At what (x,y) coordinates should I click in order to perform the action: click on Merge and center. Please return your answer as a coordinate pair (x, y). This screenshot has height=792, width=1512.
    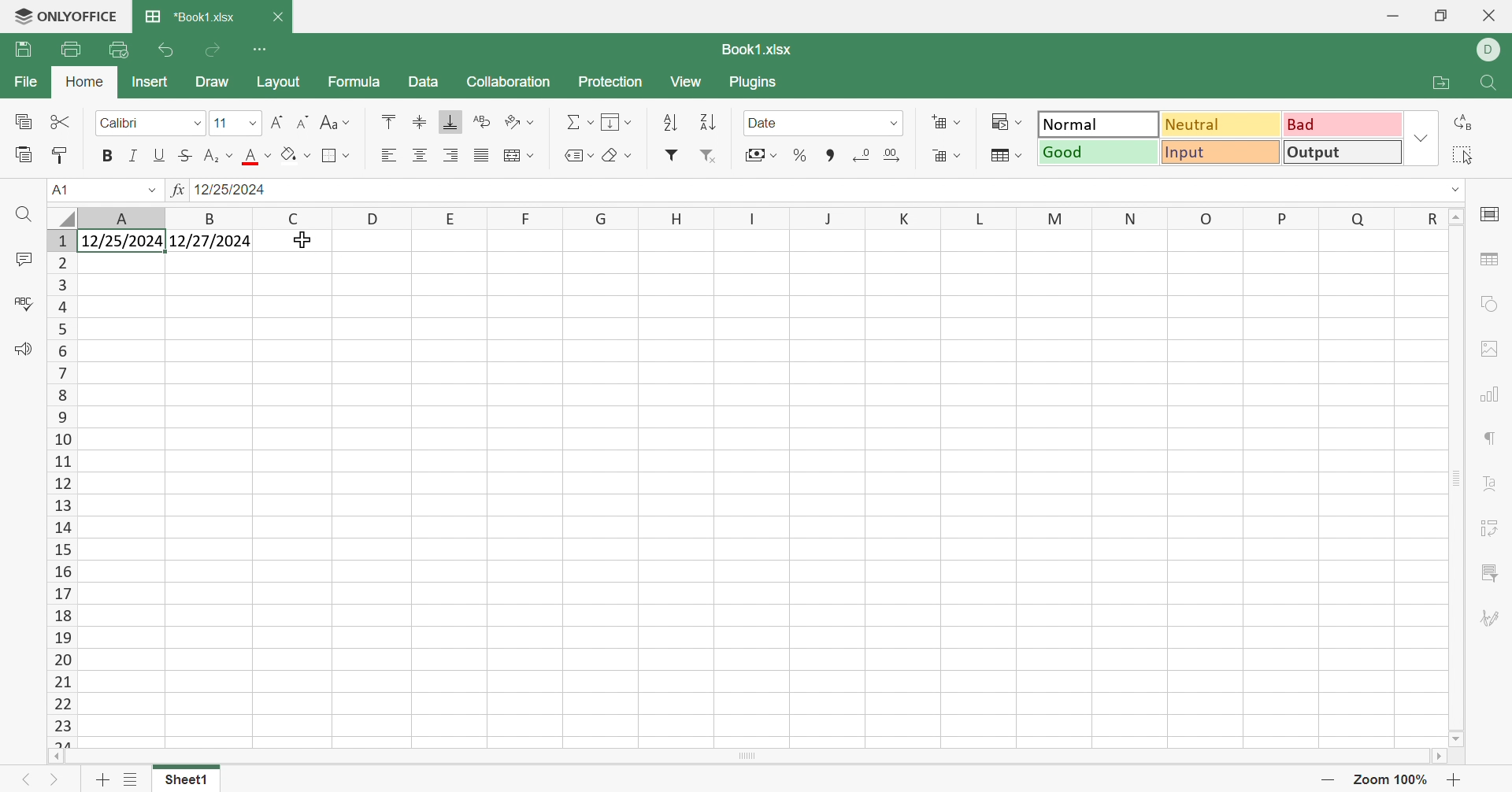
    Looking at the image, I should click on (521, 155).